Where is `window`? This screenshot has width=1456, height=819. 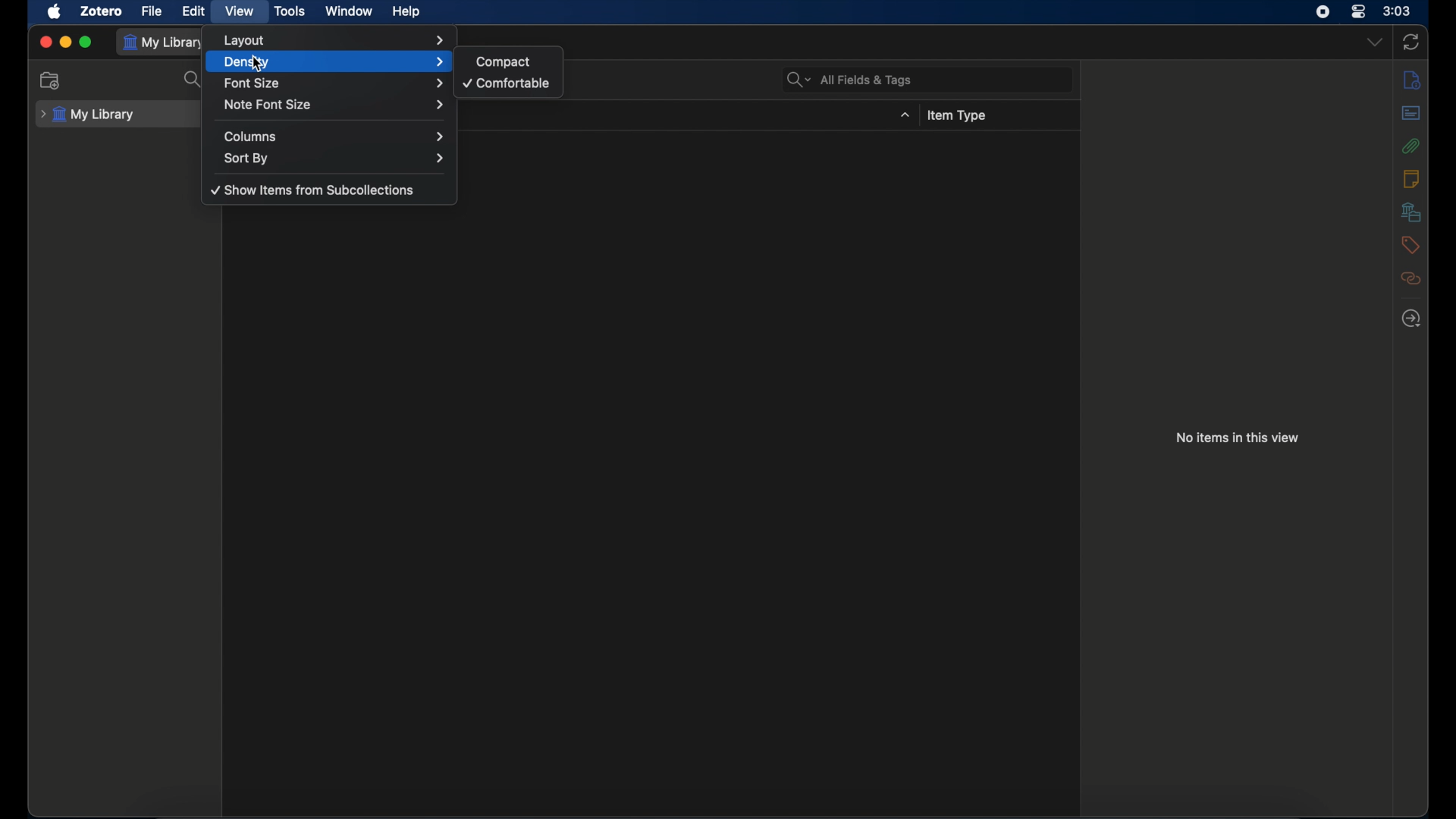 window is located at coordinates (350, 11).